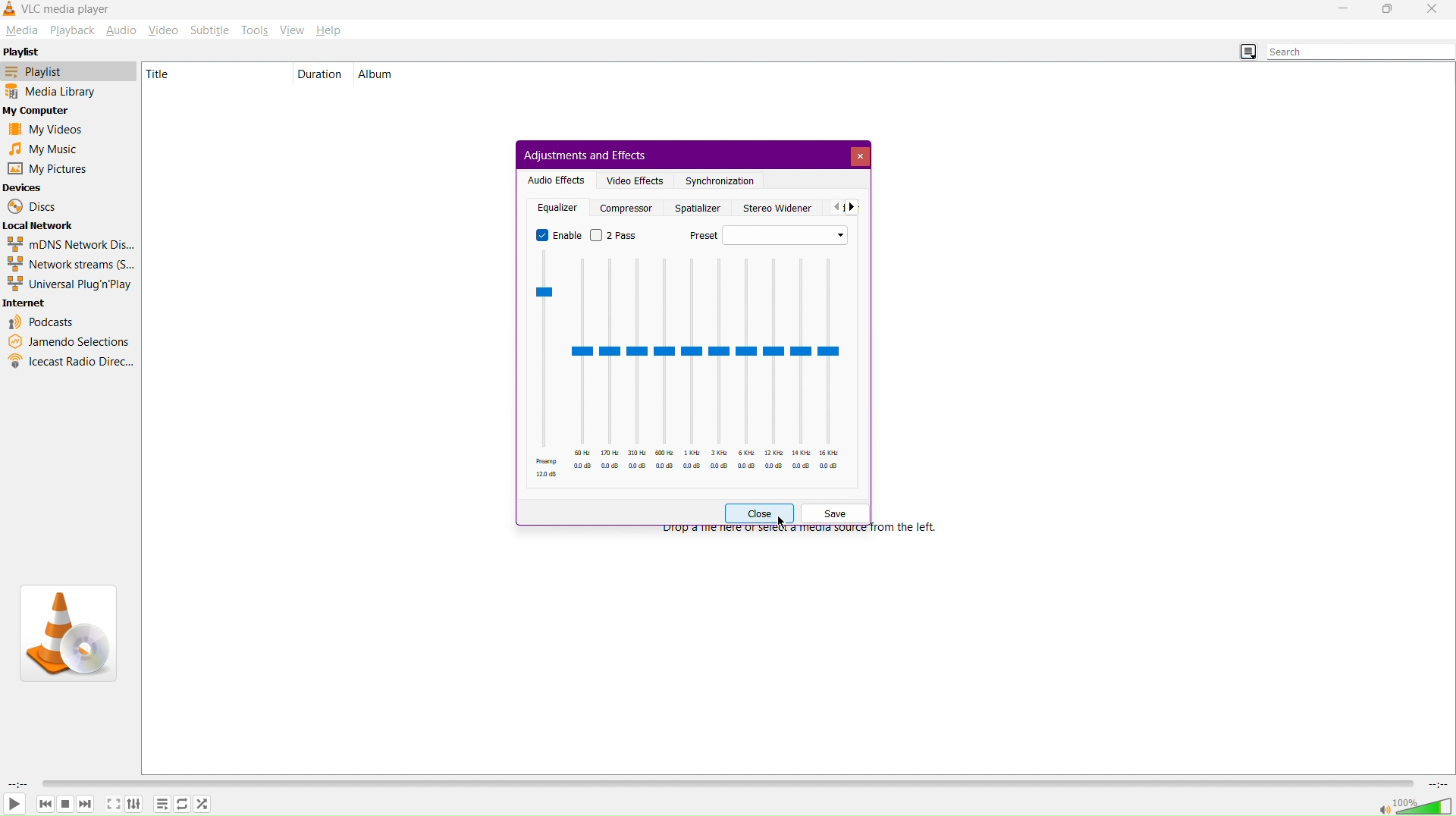 The width and height of the screenshot is (1456, 816). What do you see at coordinates (830, 363) in the screenshot?
I see `16 KHz` at bounding box center [830, 363].